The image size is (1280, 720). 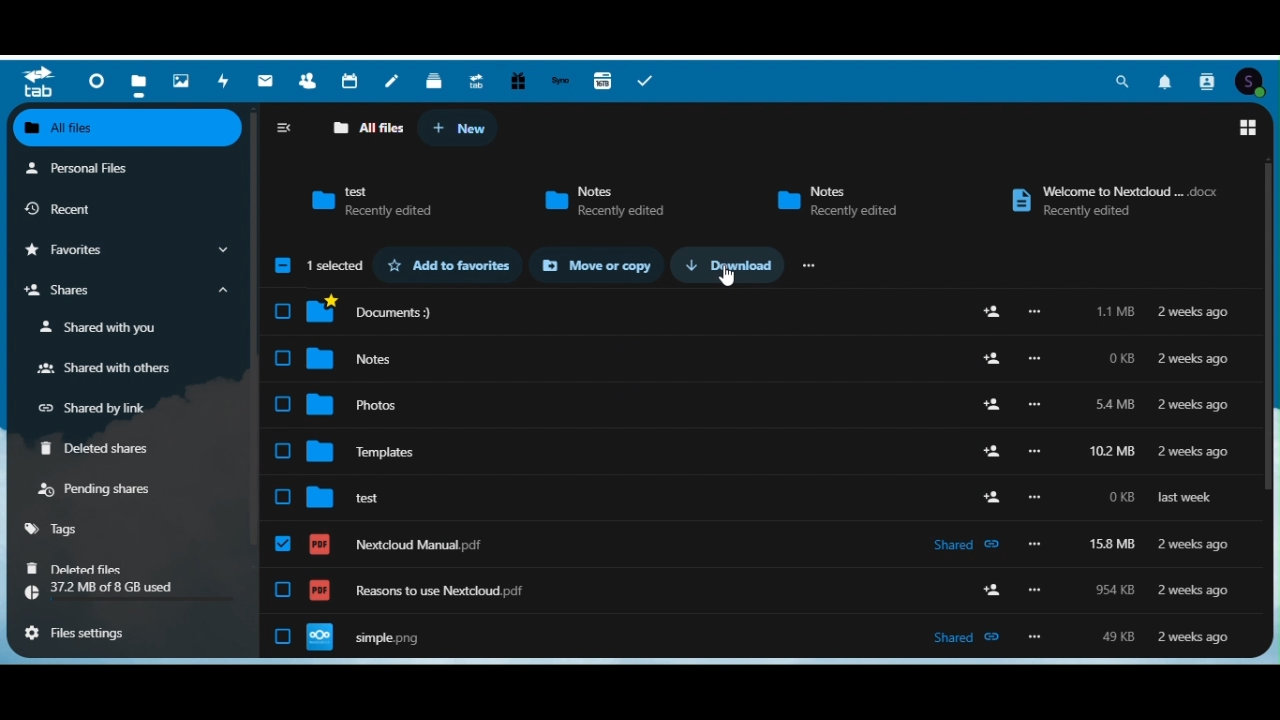 I want to click on Mail, so click(x=267, y=80).